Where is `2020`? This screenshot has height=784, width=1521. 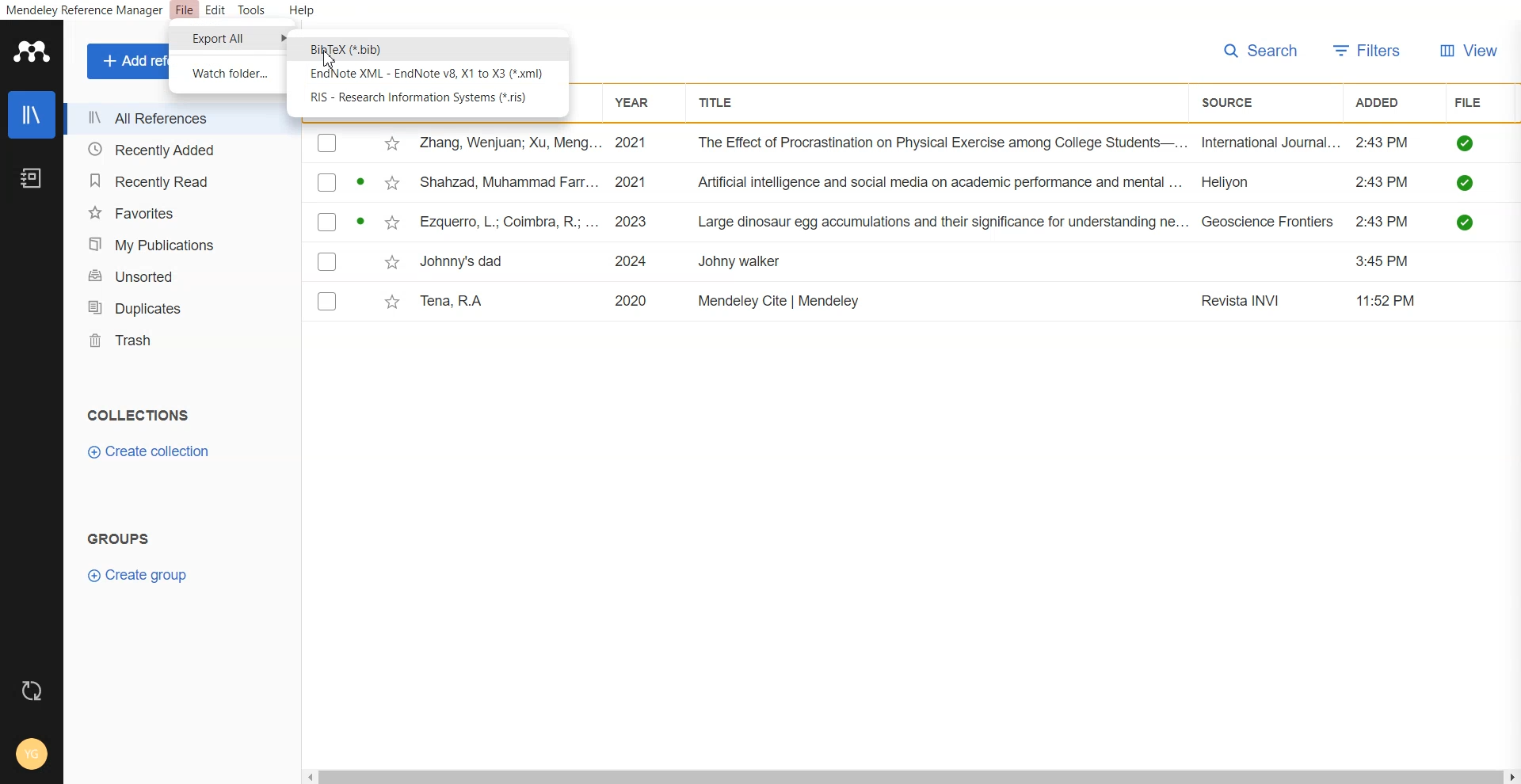
2020 is located at coordinates (631, 299).